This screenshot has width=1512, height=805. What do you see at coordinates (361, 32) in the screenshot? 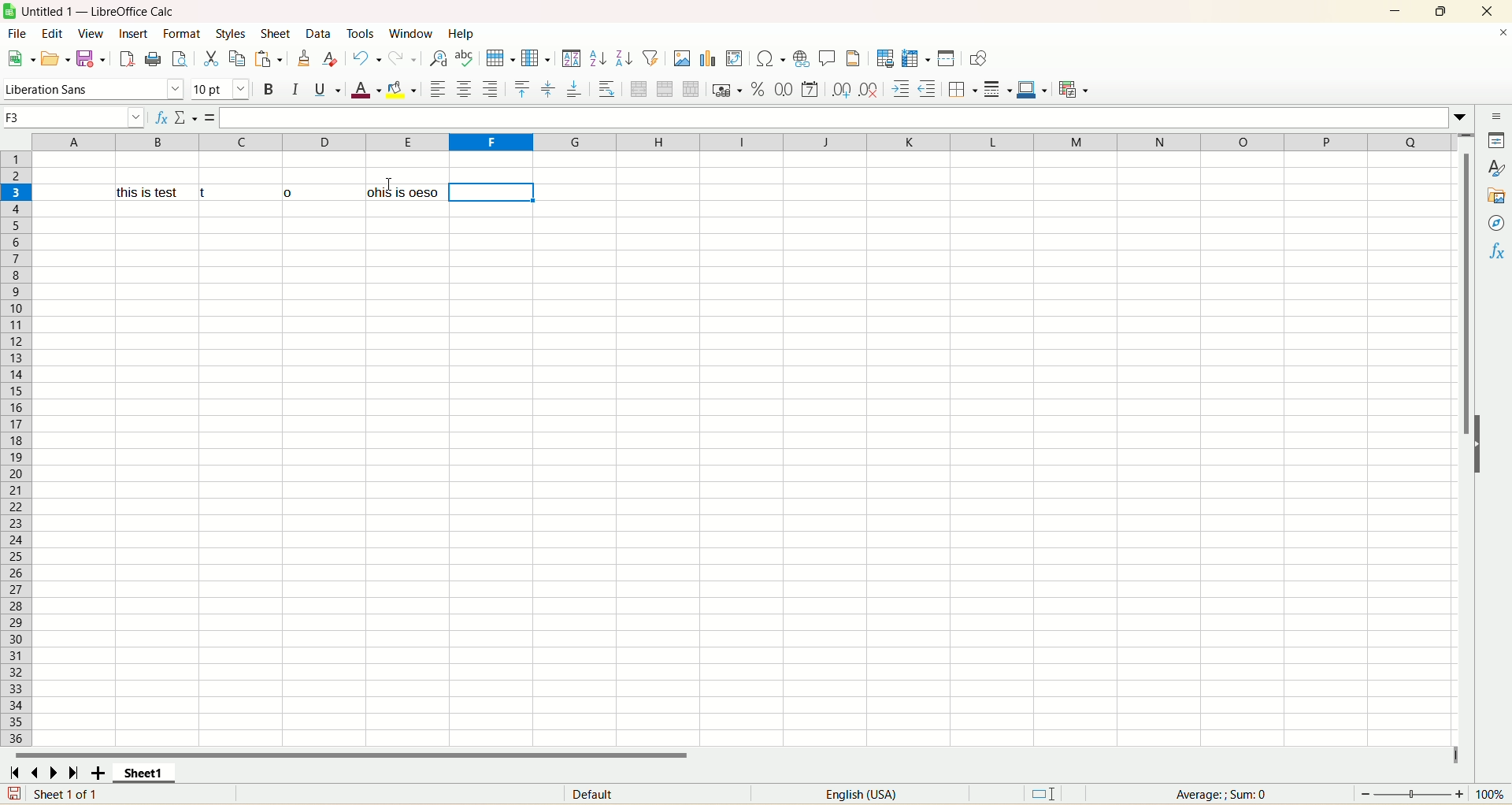
I see `tools` at bounding box center [361, 32].